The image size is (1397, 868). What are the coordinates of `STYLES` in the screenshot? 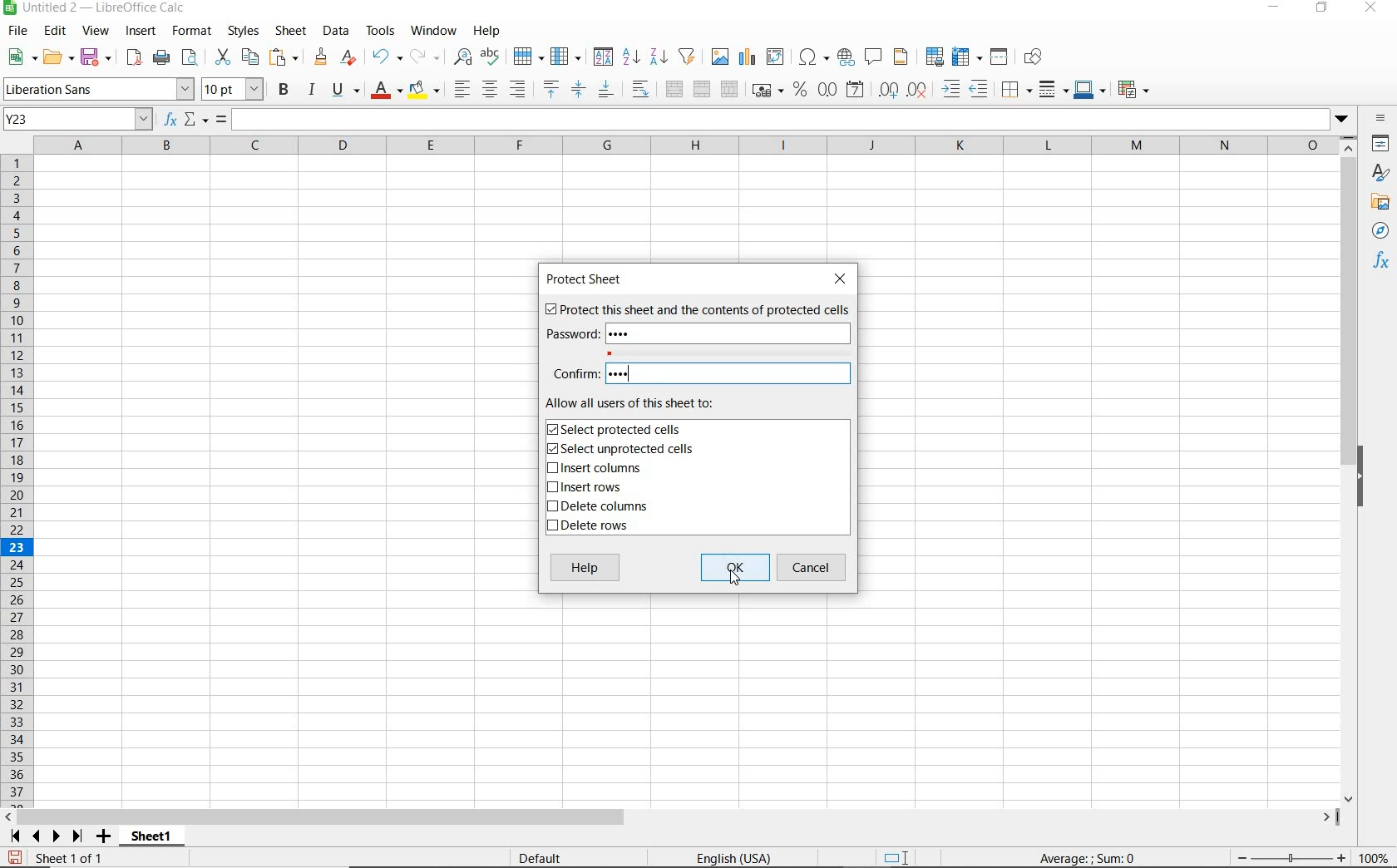 It's located at (1380, 173).